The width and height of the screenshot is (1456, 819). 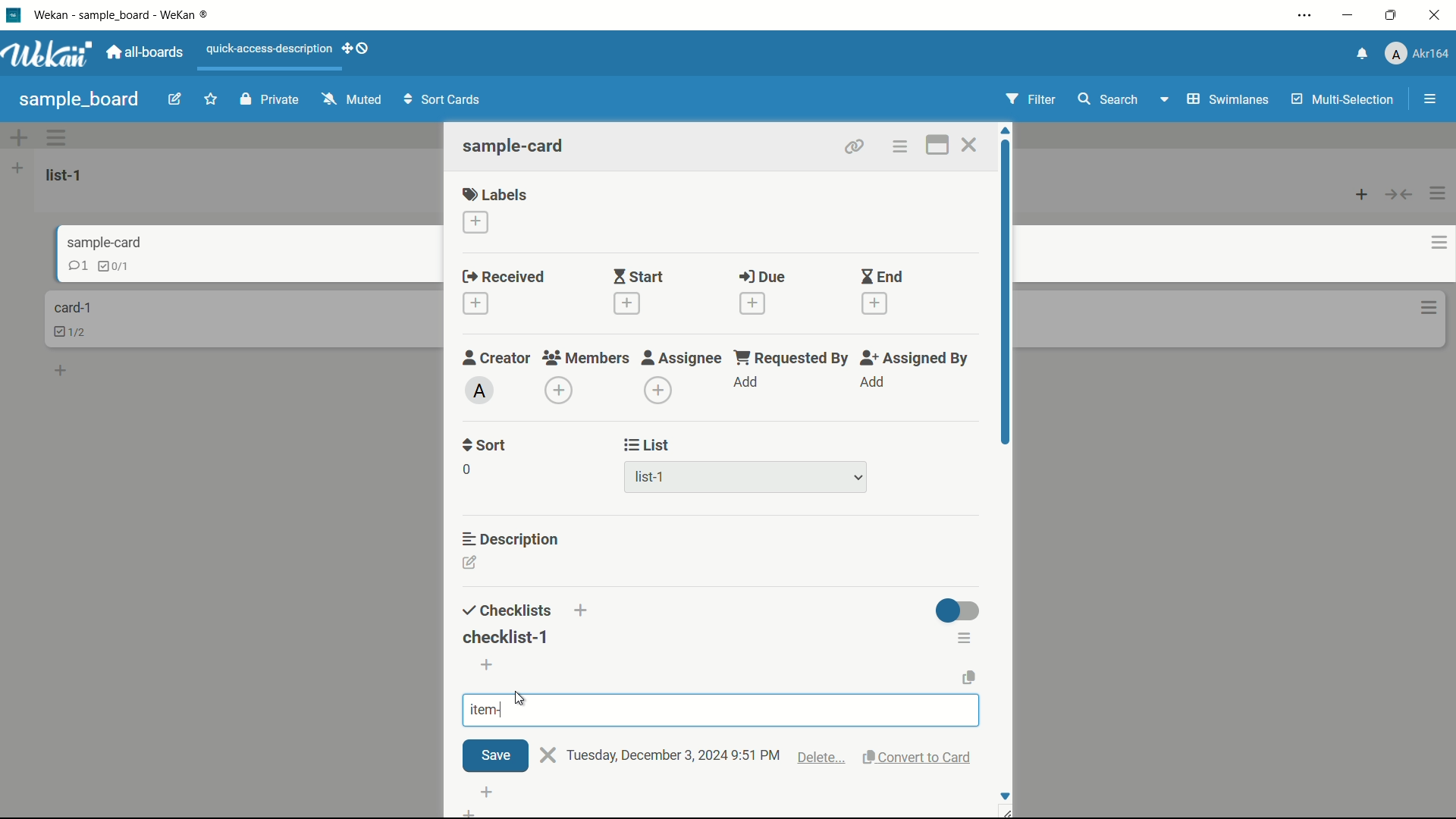 I want to click on maximize, so click(x=1391, y=14).